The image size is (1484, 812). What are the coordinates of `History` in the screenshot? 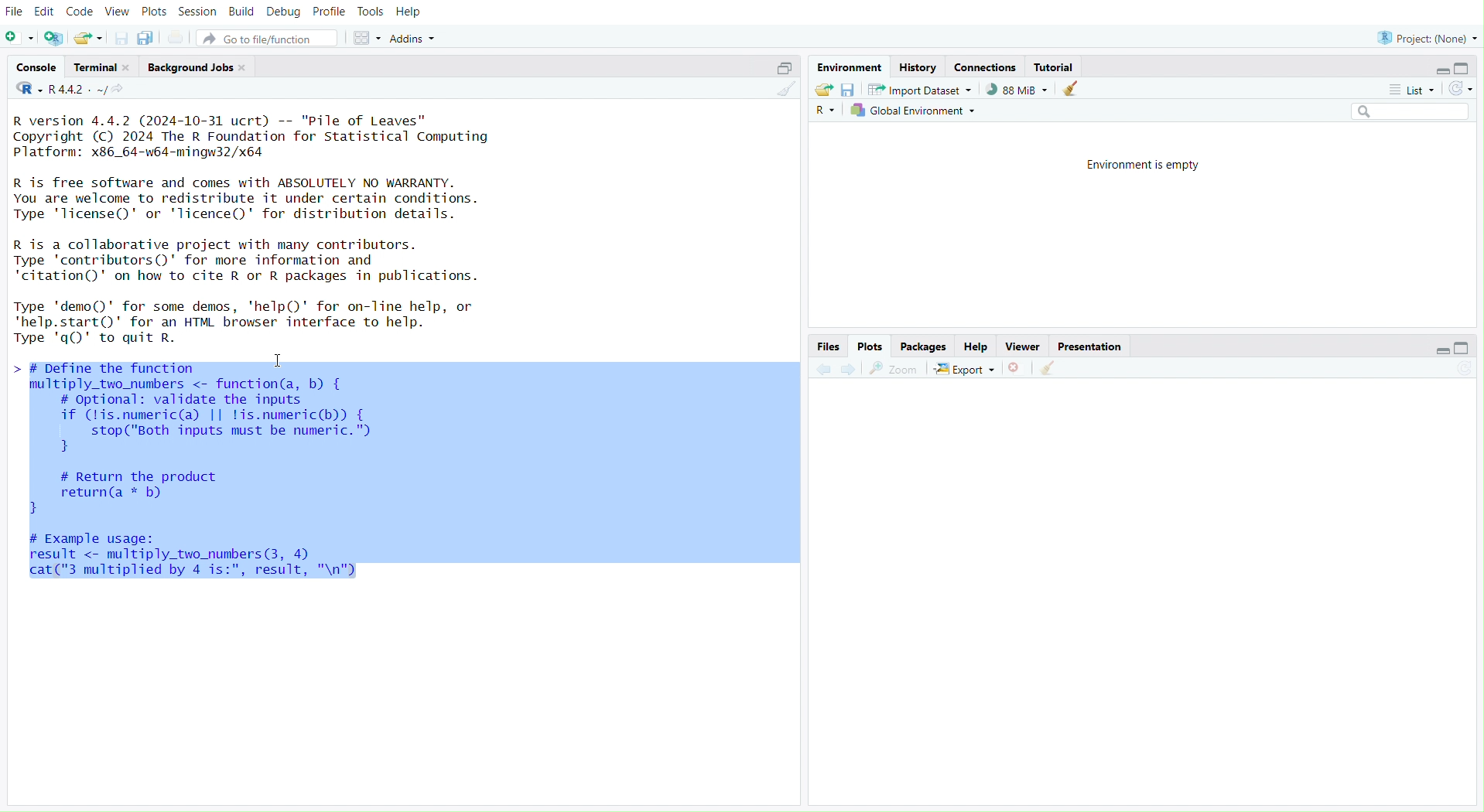 It's located at (918, 66).